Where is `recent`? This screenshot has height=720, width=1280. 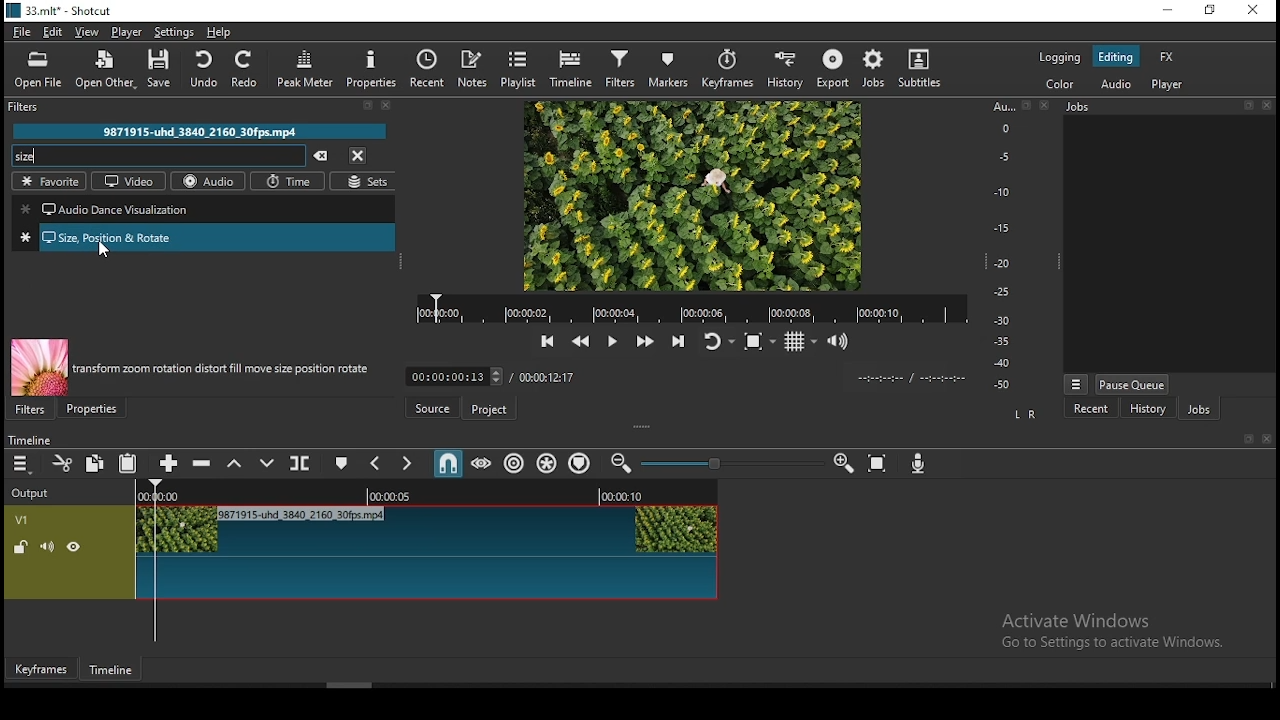 recent is located at coordinates (1092, 412).